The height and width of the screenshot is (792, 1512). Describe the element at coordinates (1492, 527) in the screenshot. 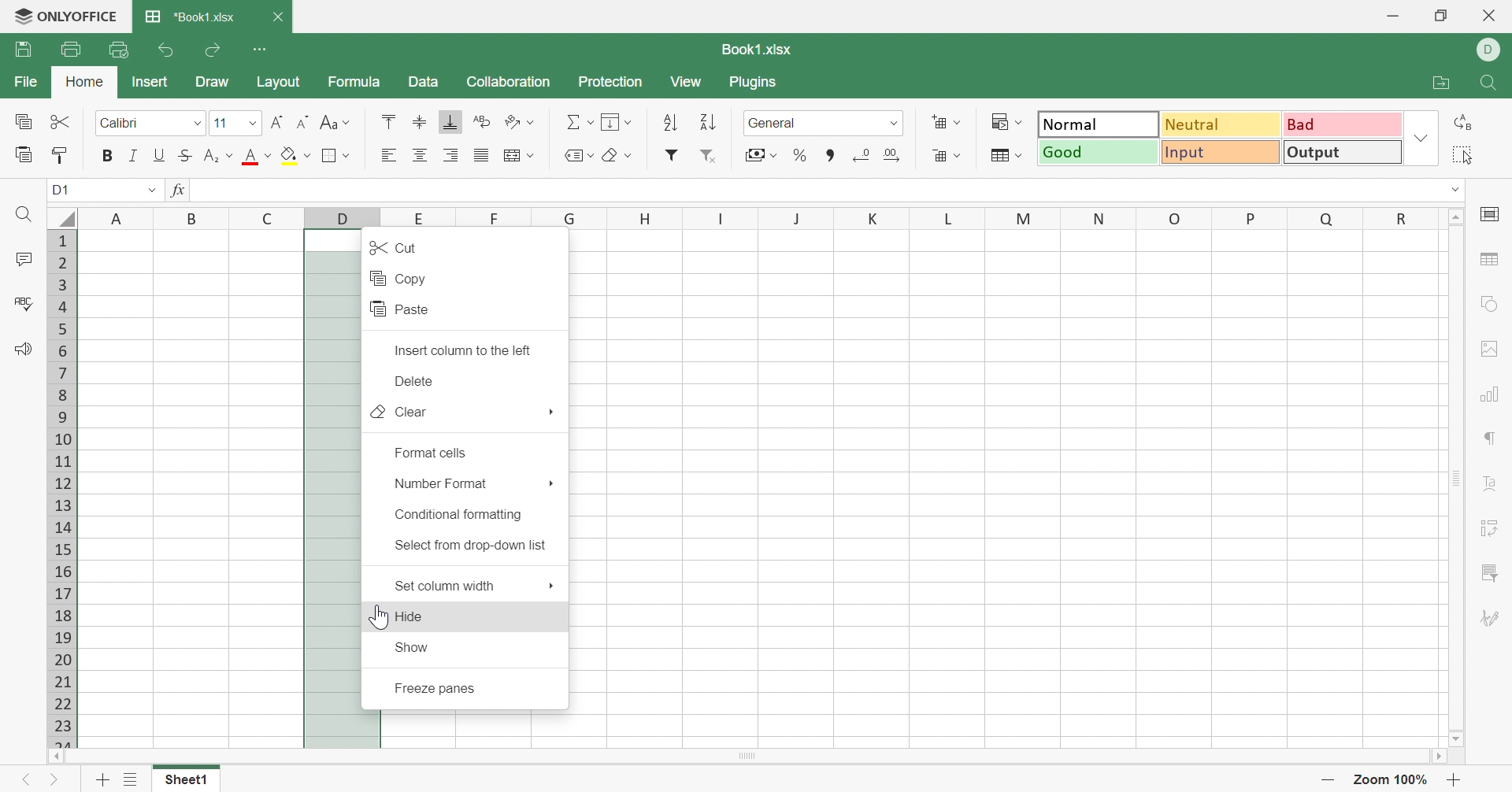

I see `Pivot Table settings` at that location.